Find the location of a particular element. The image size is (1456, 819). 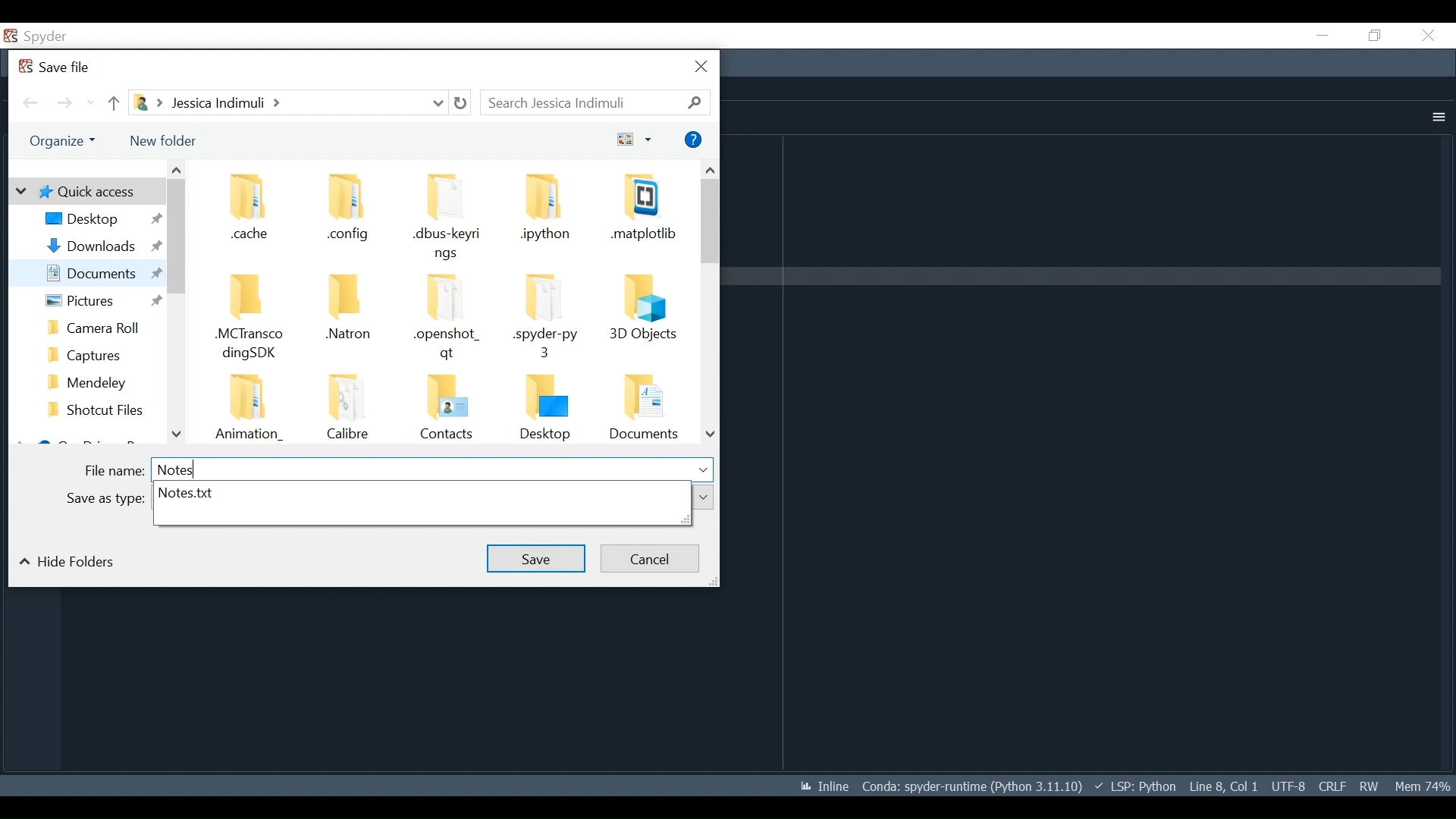

Navigate Forward is located at coordinates (64, 104).